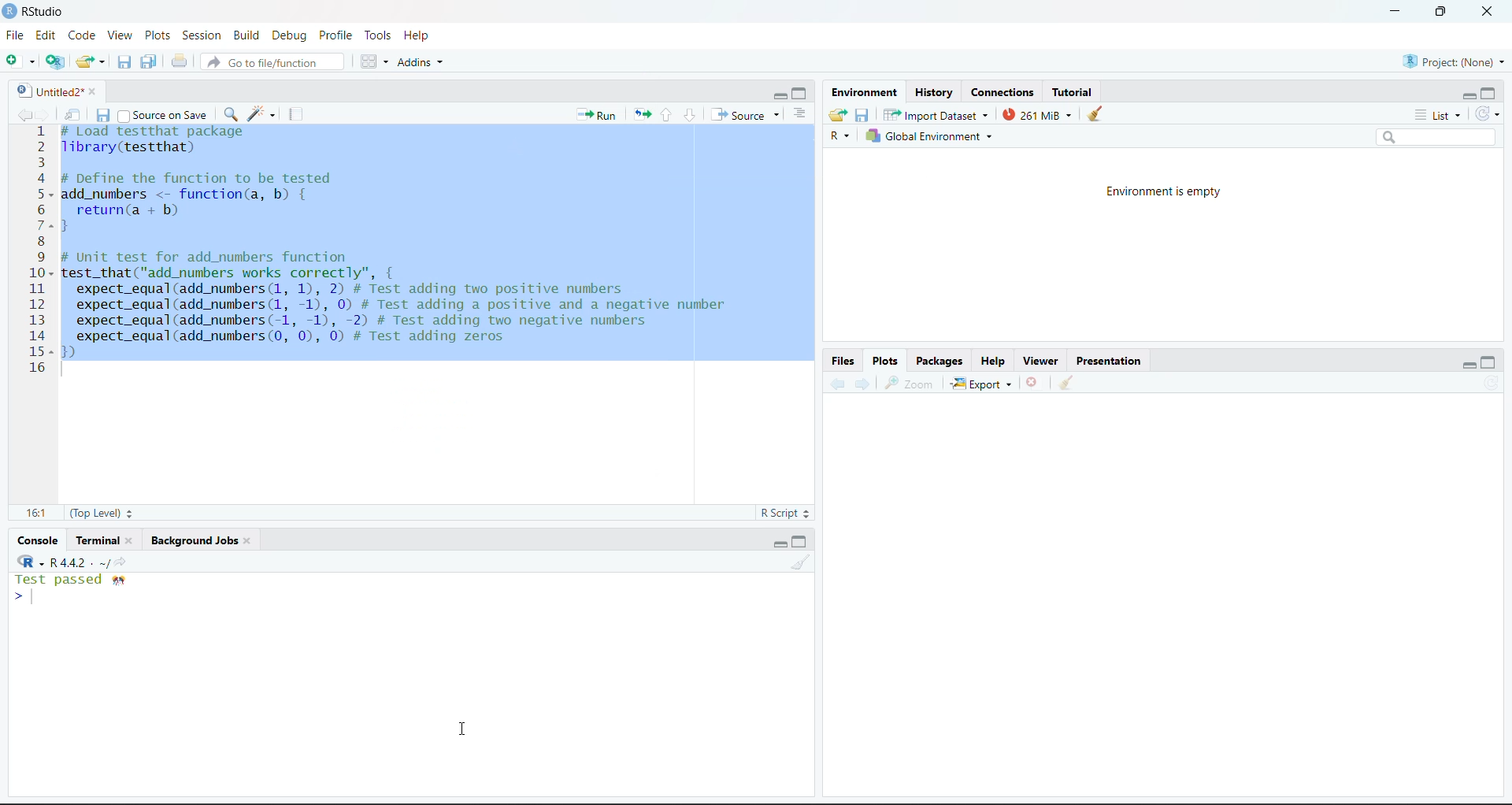  Describe the element at coordinates (801, 540) in the screenshot. I see `maximize` at that location.